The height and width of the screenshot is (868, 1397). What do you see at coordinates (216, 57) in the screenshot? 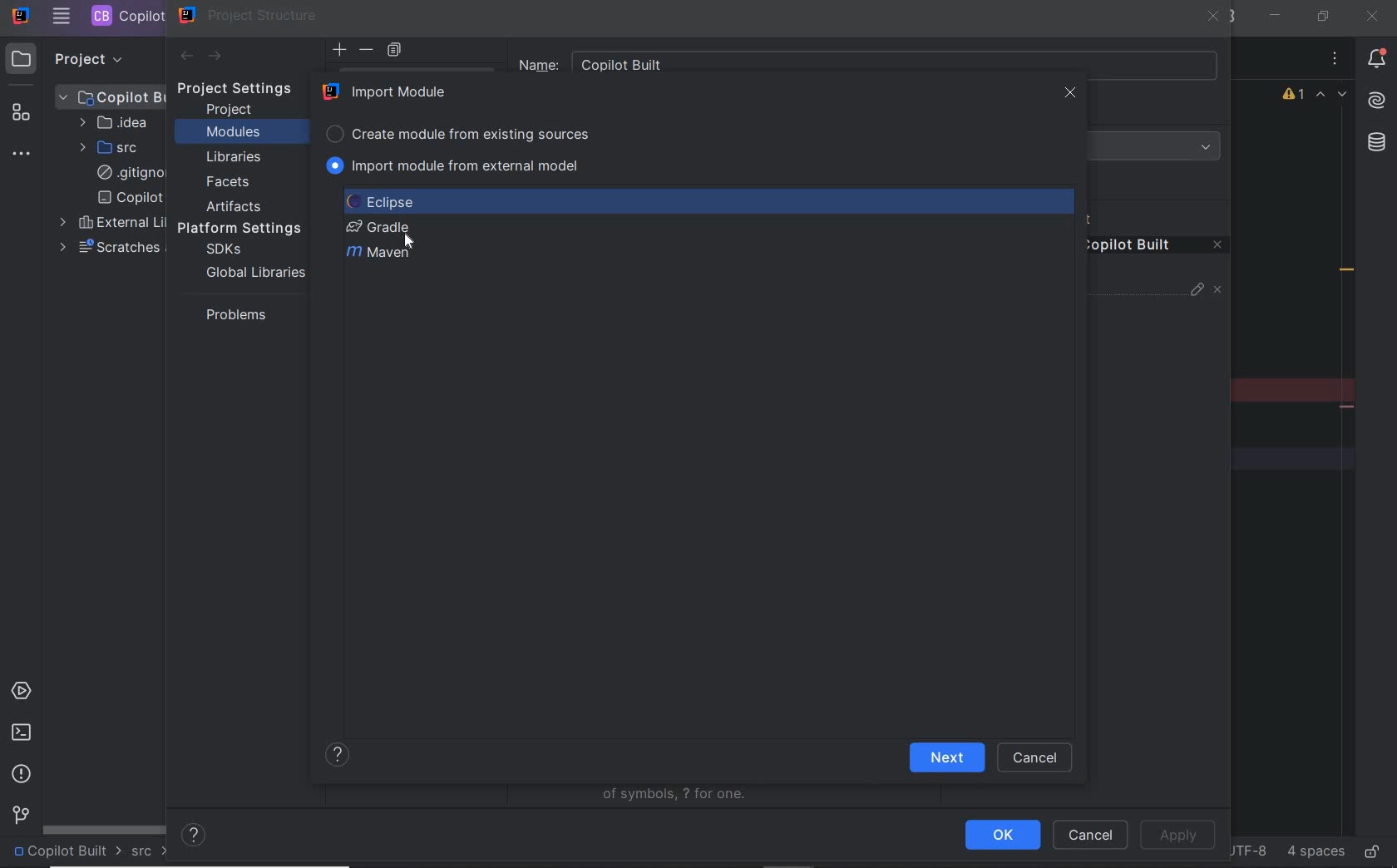
I see `next` at bounding box center [216, 57].